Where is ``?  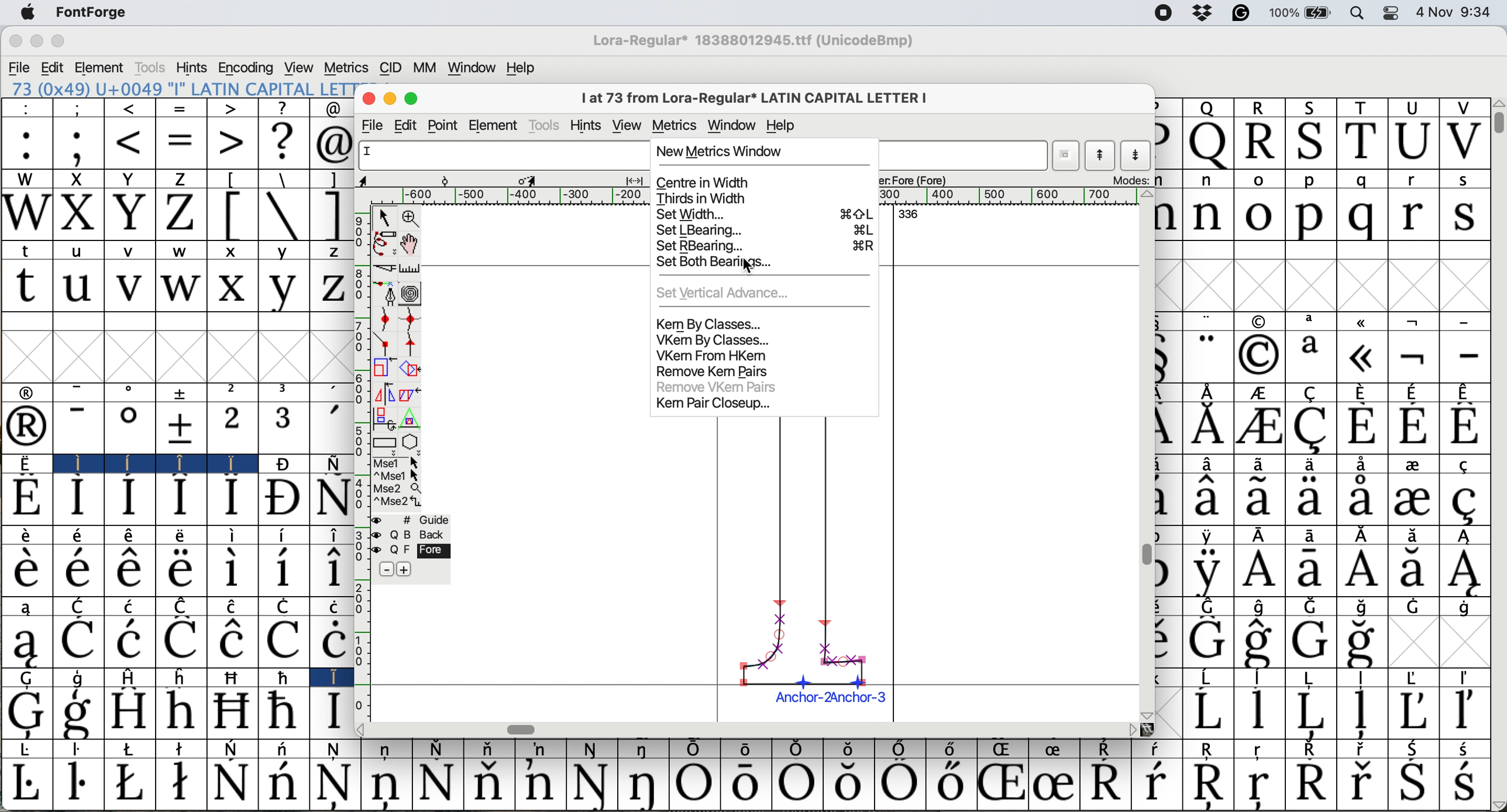
 is located at coordinates (907, 215).